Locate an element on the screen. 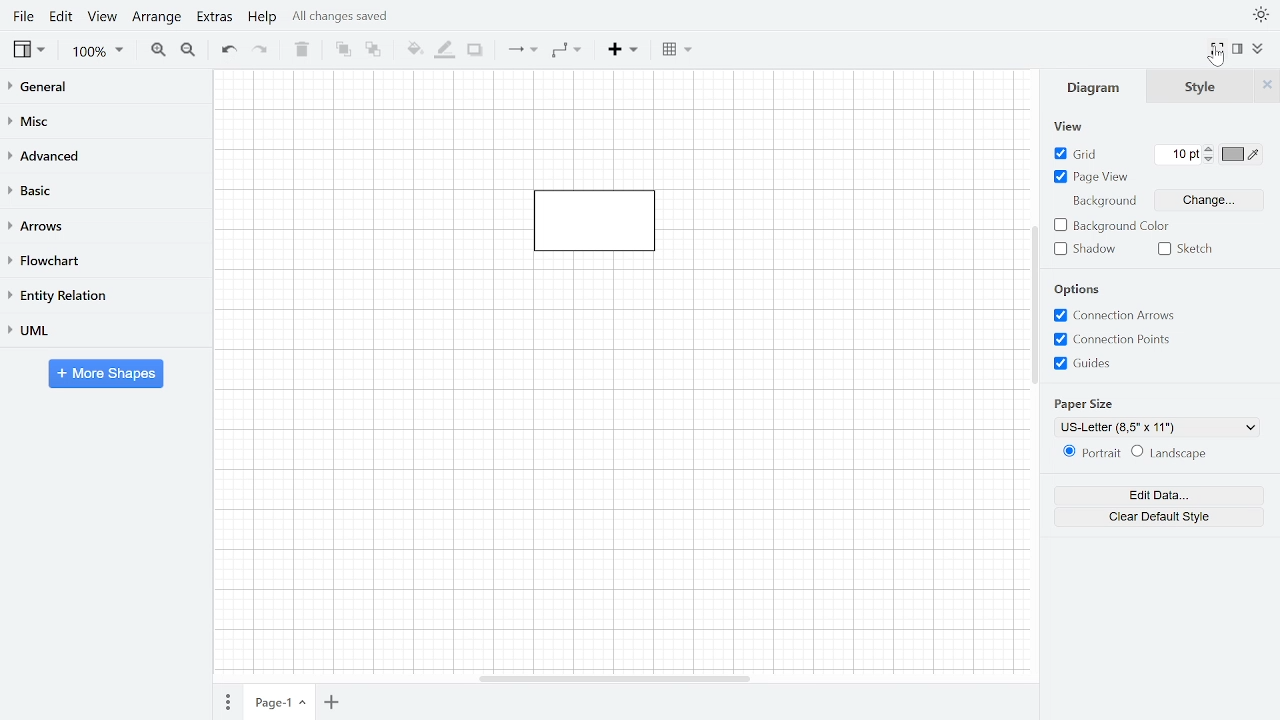  Basic is located at coordinates (105, 191).